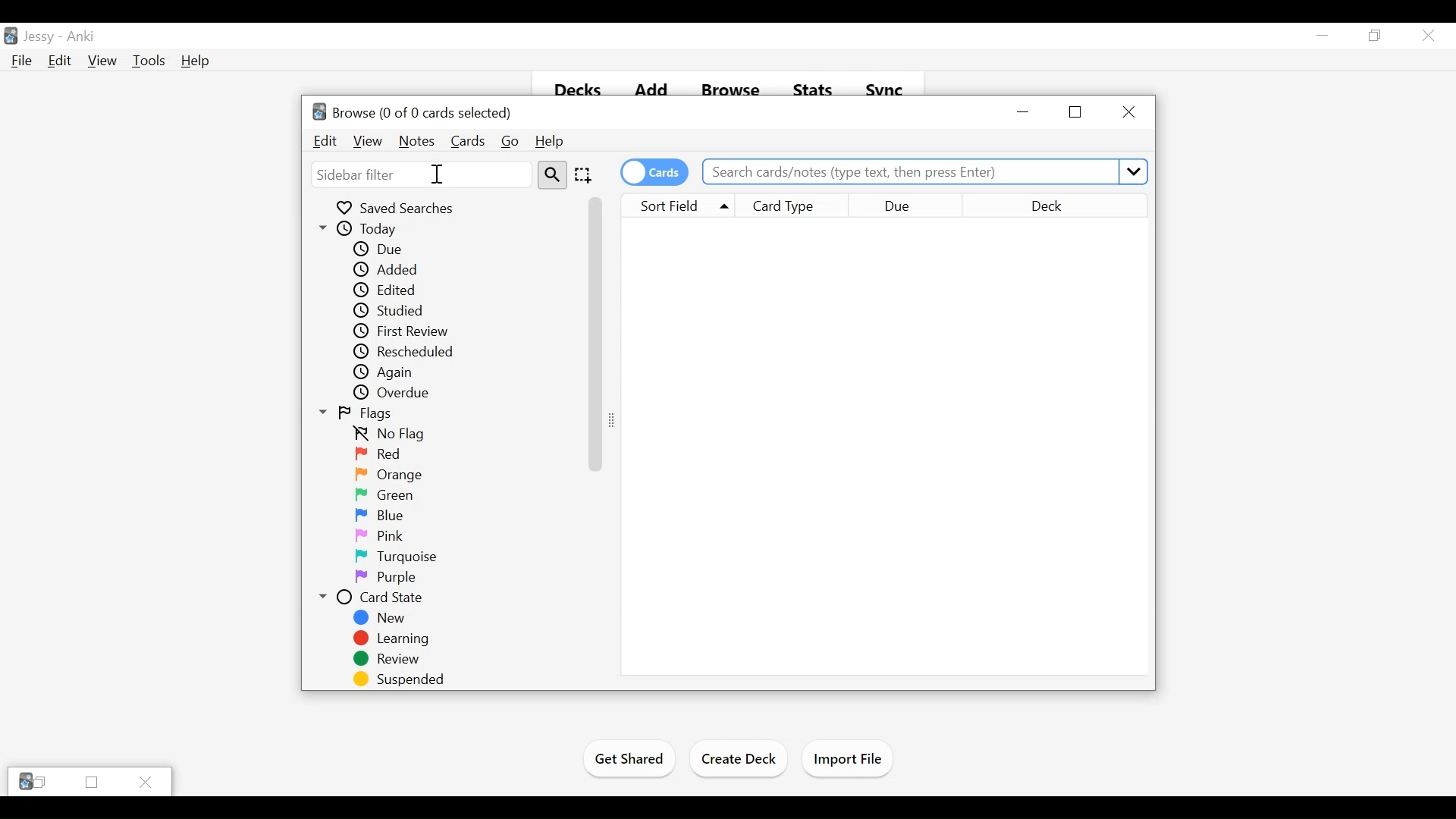 This screenshot has width=1456, height=819. Describe the element at coordinates (378, 516) in the screenshot. I see `Blue` at that location.